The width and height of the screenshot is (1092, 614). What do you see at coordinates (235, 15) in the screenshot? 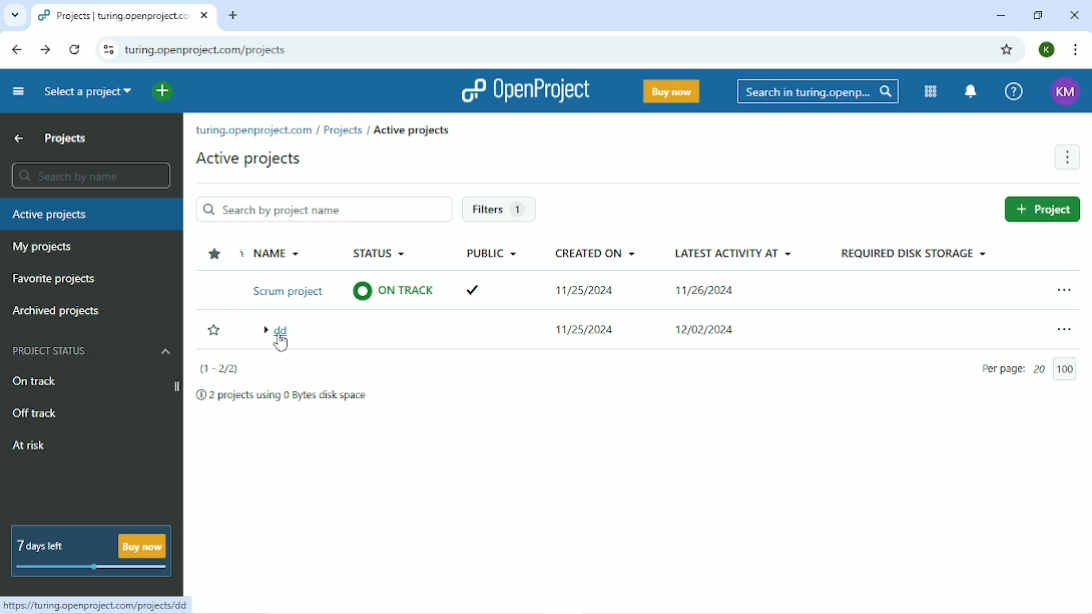
I see `New tab` at bounding box center [235, 15].